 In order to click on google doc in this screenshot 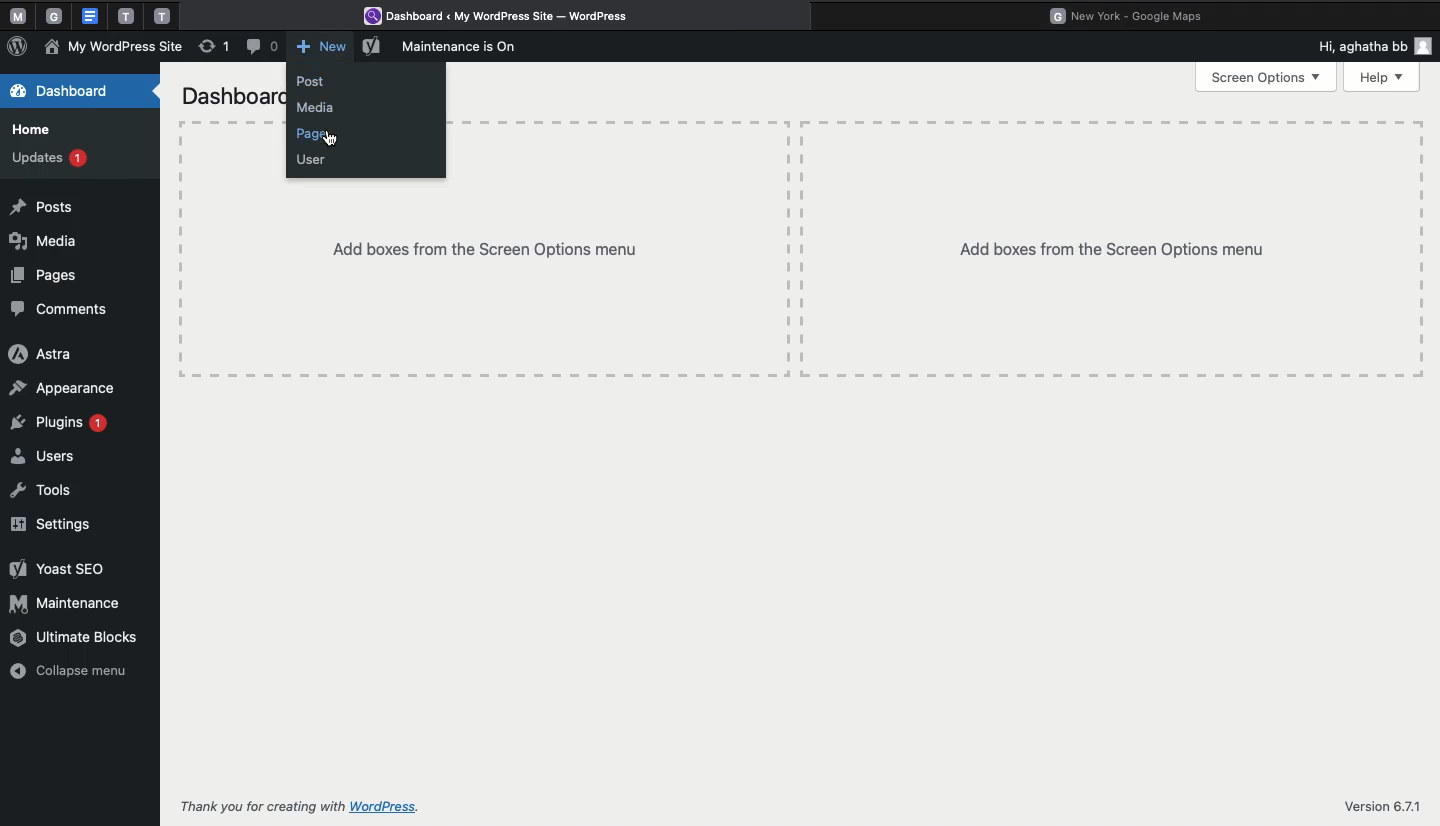, I will do `click(89, 15)`.